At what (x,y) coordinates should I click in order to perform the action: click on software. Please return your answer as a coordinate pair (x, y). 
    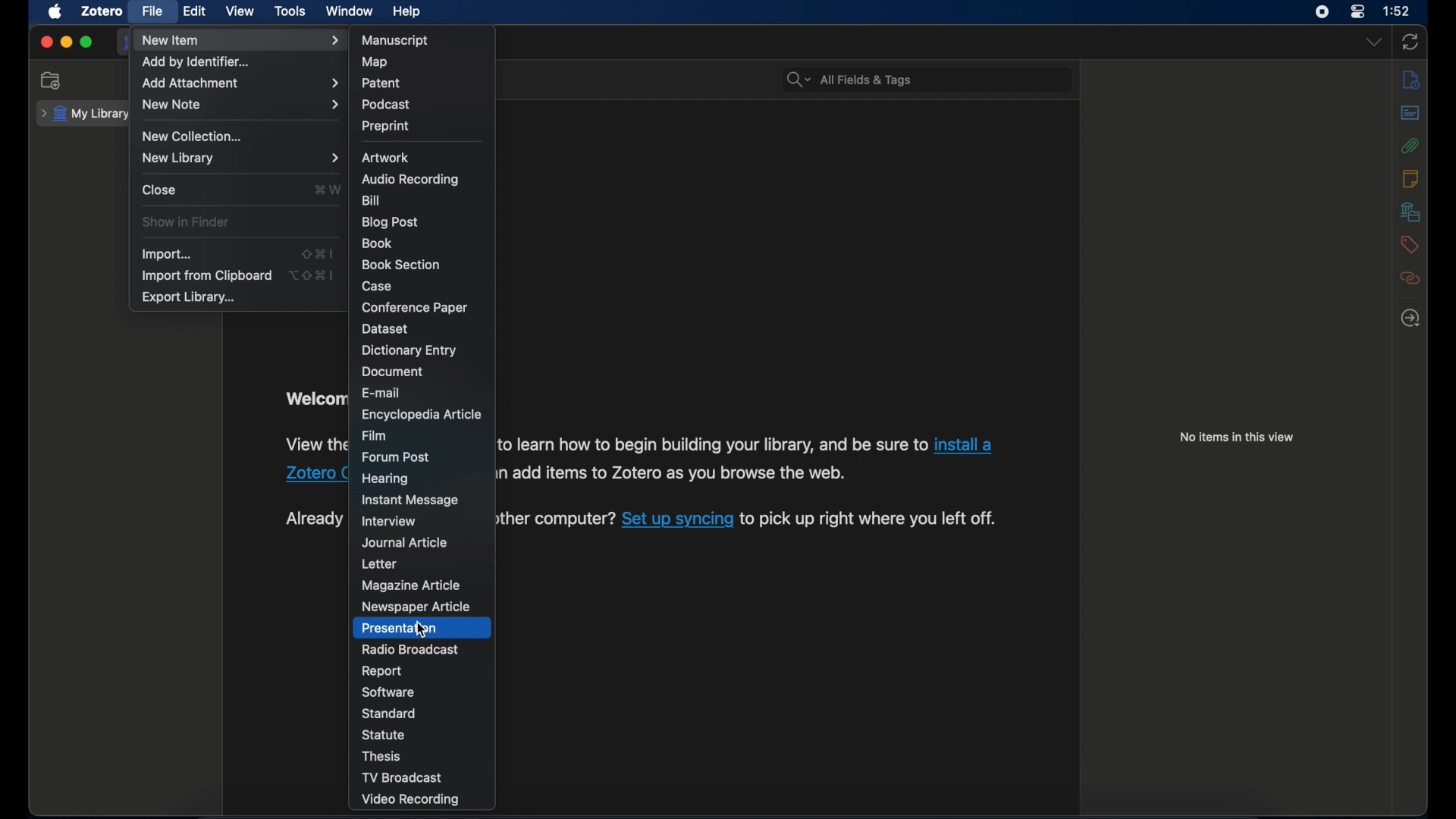
    Looking at the image, I should click on (388, 693).